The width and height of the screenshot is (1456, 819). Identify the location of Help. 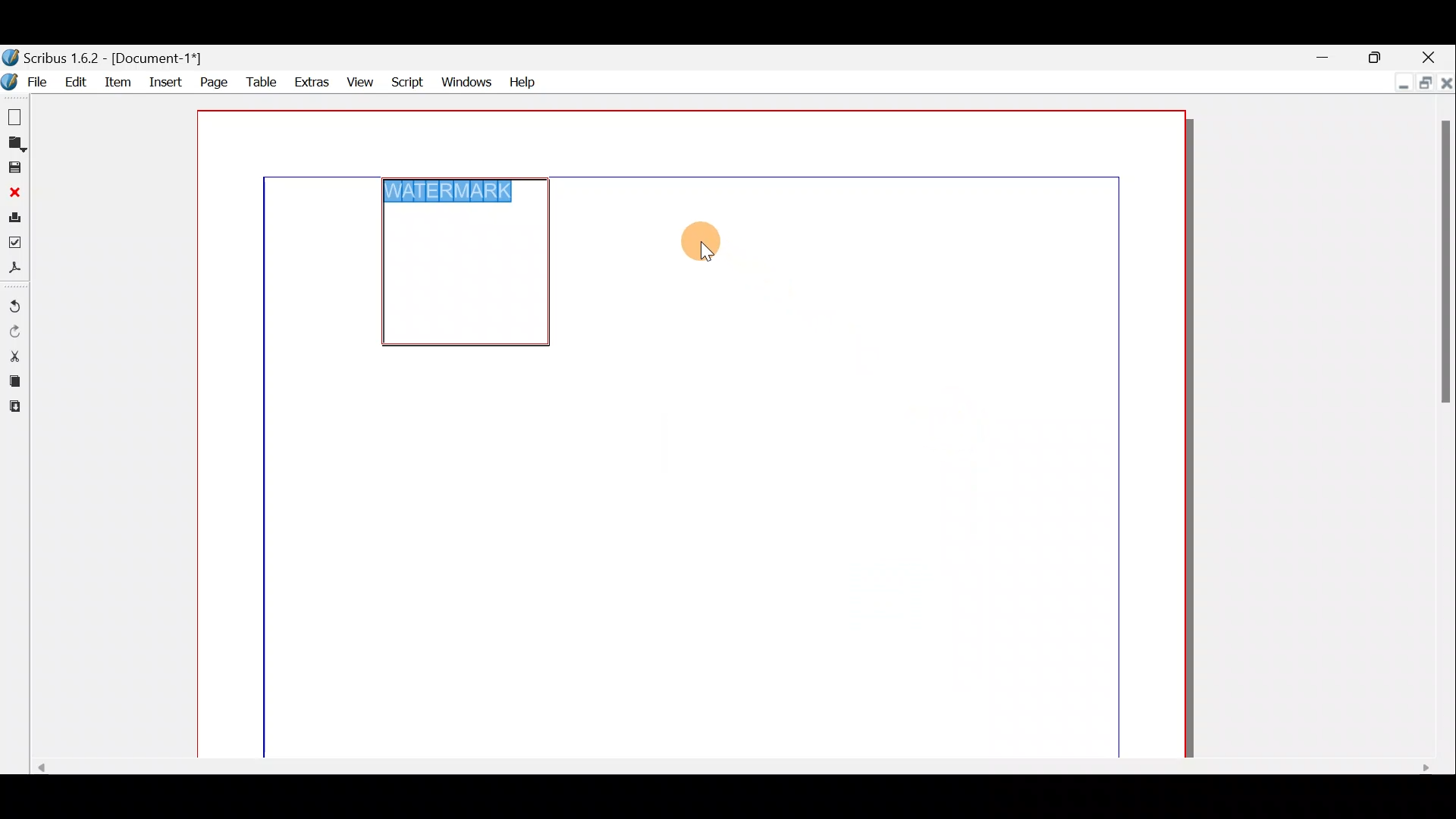
(522, 80).